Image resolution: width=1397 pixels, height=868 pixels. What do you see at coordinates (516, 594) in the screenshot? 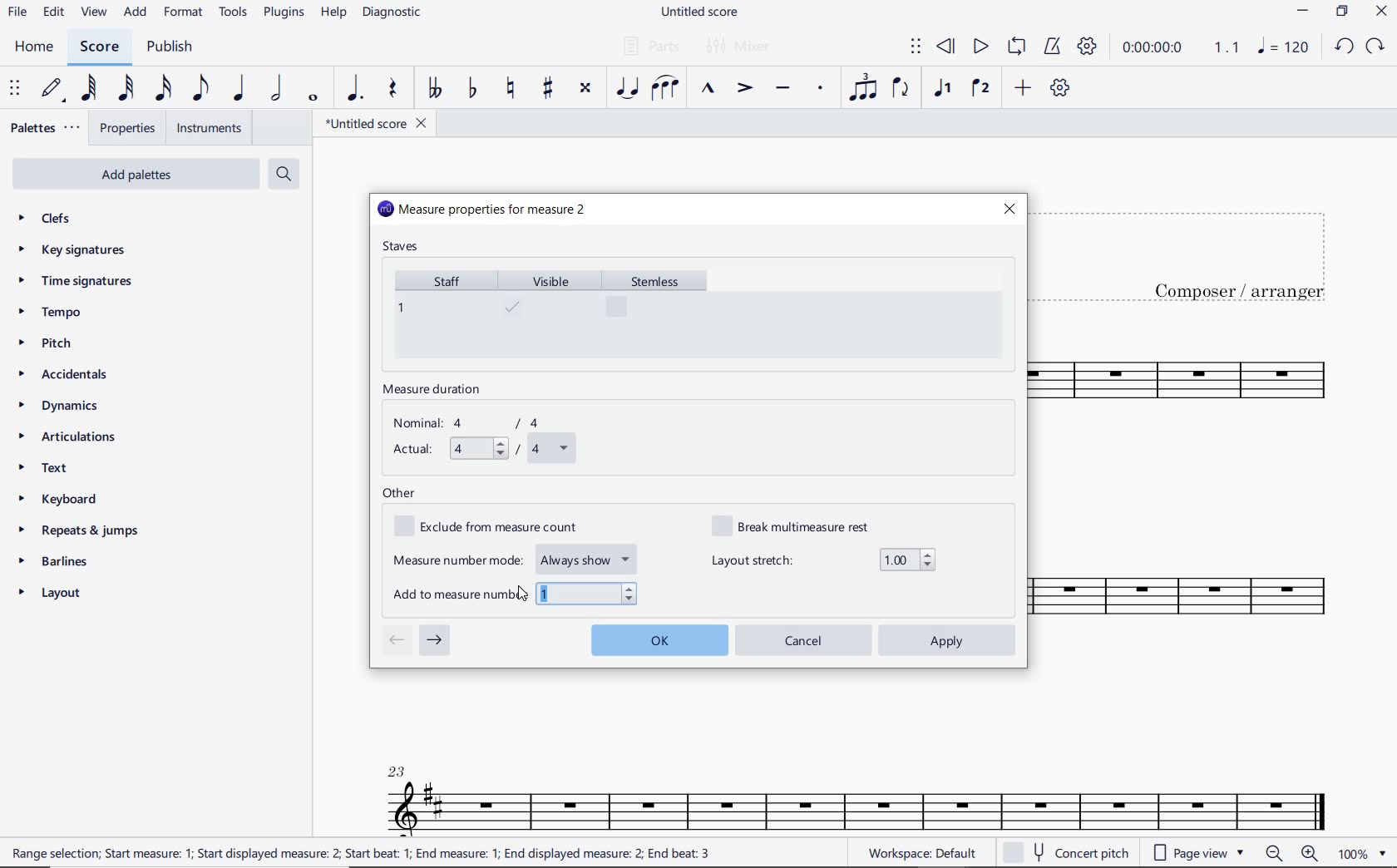
I see `add to measure number` at bounding box center [516, 594].